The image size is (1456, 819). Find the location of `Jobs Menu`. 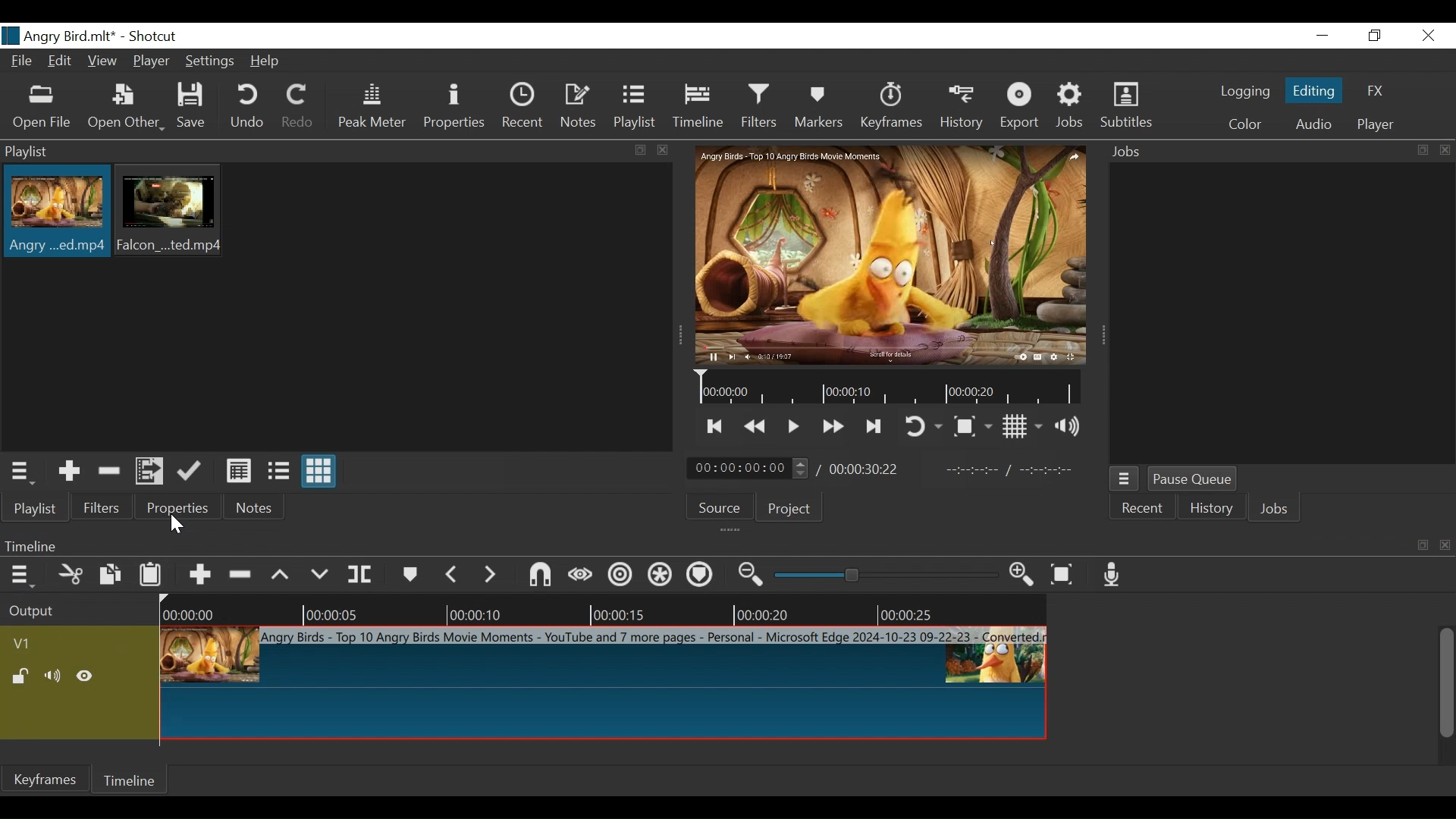

Jobs Menu is located at coordinates (1125, 479).